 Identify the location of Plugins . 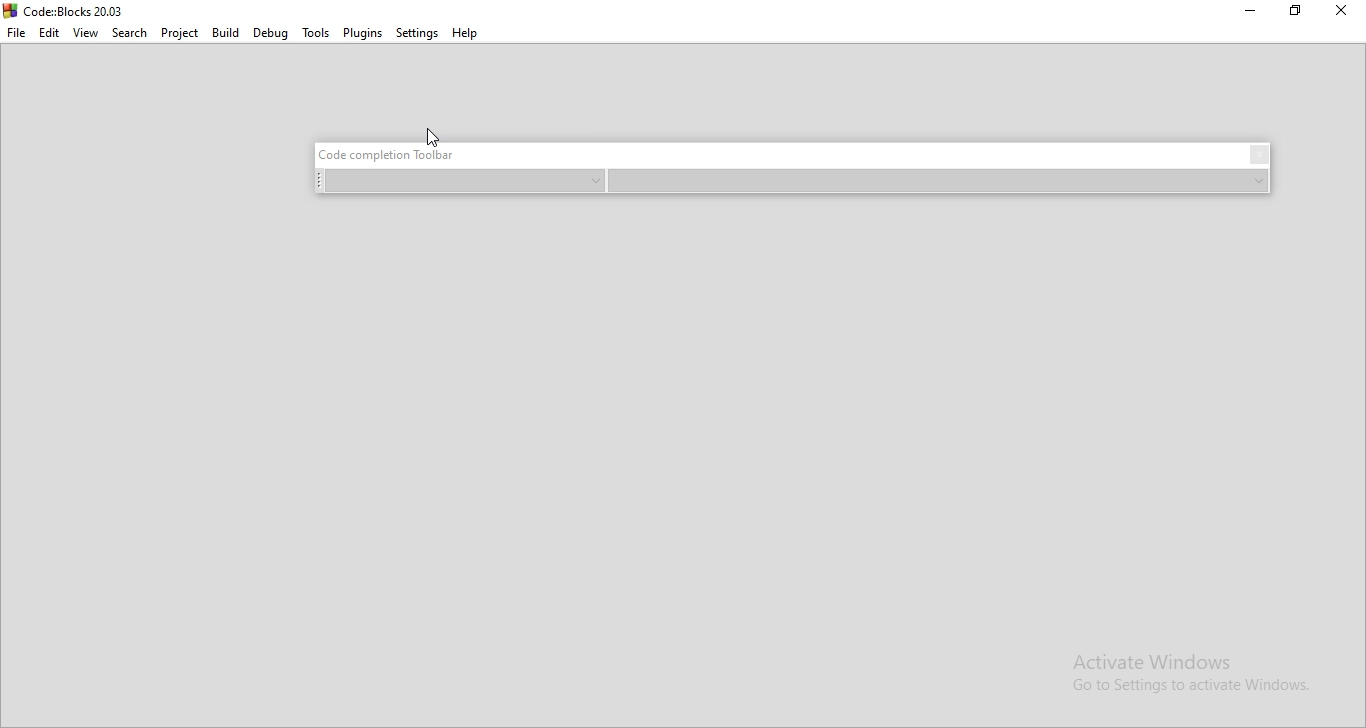
(362, 32).